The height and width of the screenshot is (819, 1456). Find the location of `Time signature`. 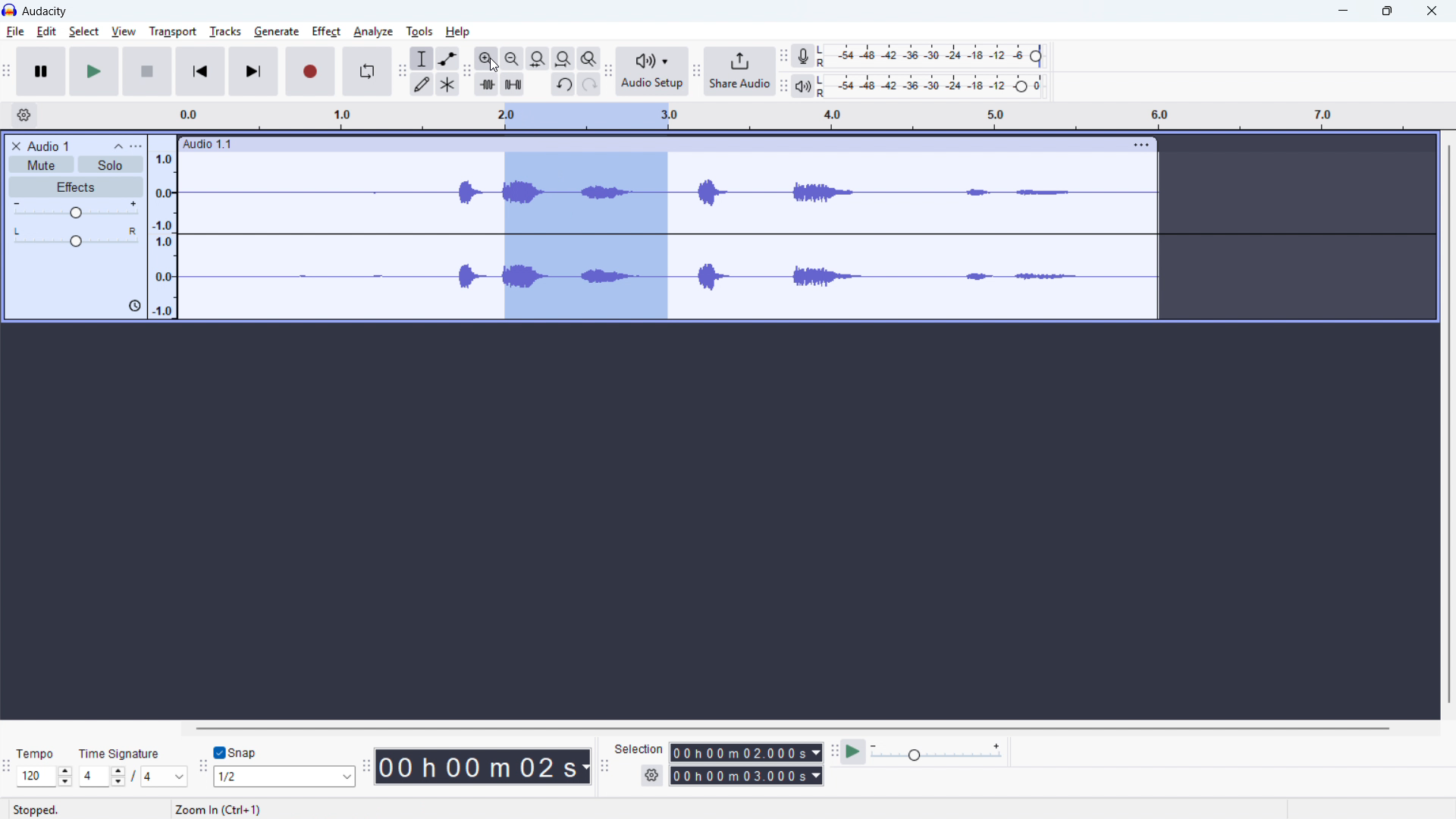

Time signature is located at coordinates (120, 752).